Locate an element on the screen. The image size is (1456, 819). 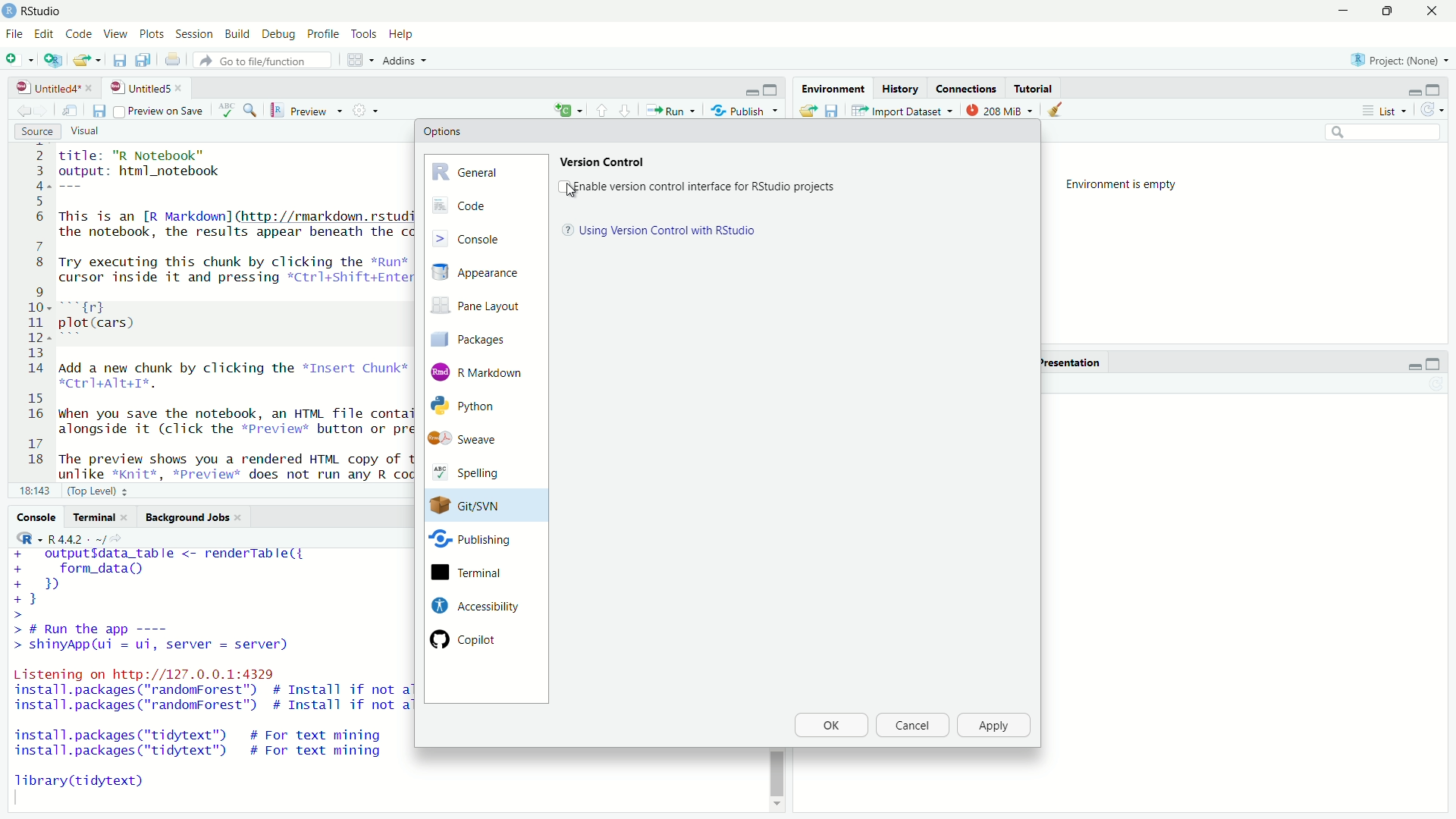
Connections is located at coordinates (966, 88).